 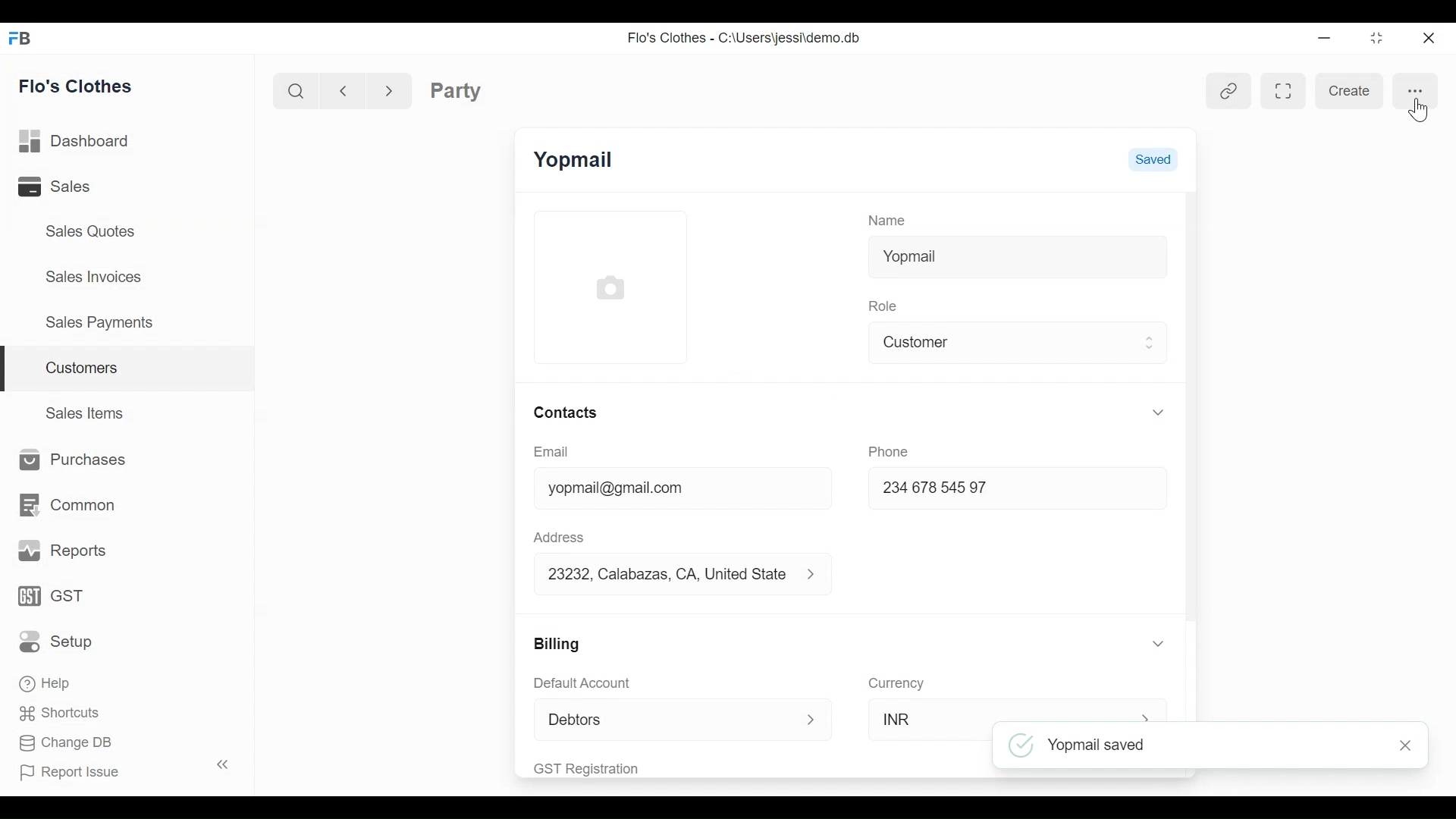 What do you see at coordinates (92, 231) in the screenshot?
I see `Sales Quotes` at bounding box center [92, 231].